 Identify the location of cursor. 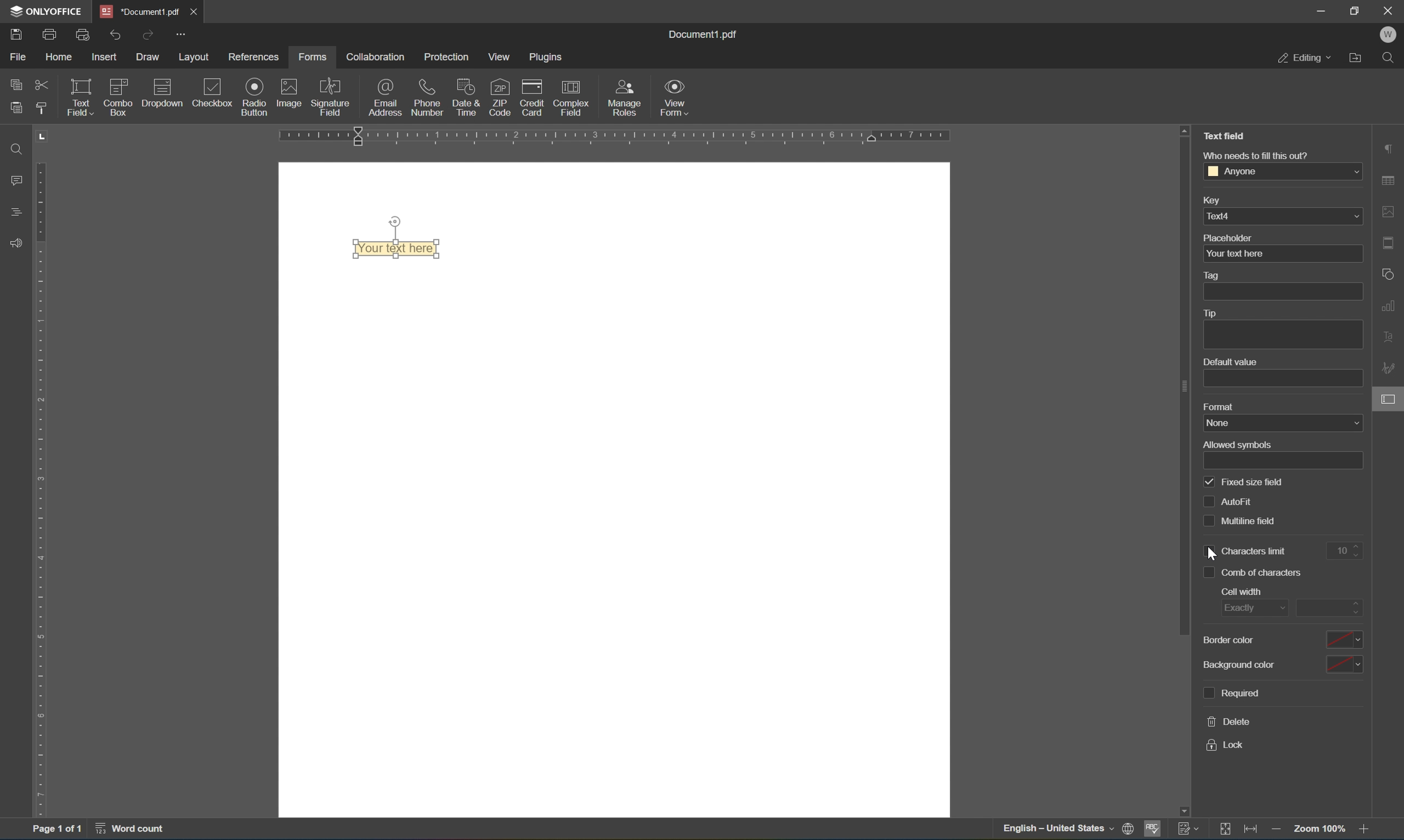
(1394, 407).